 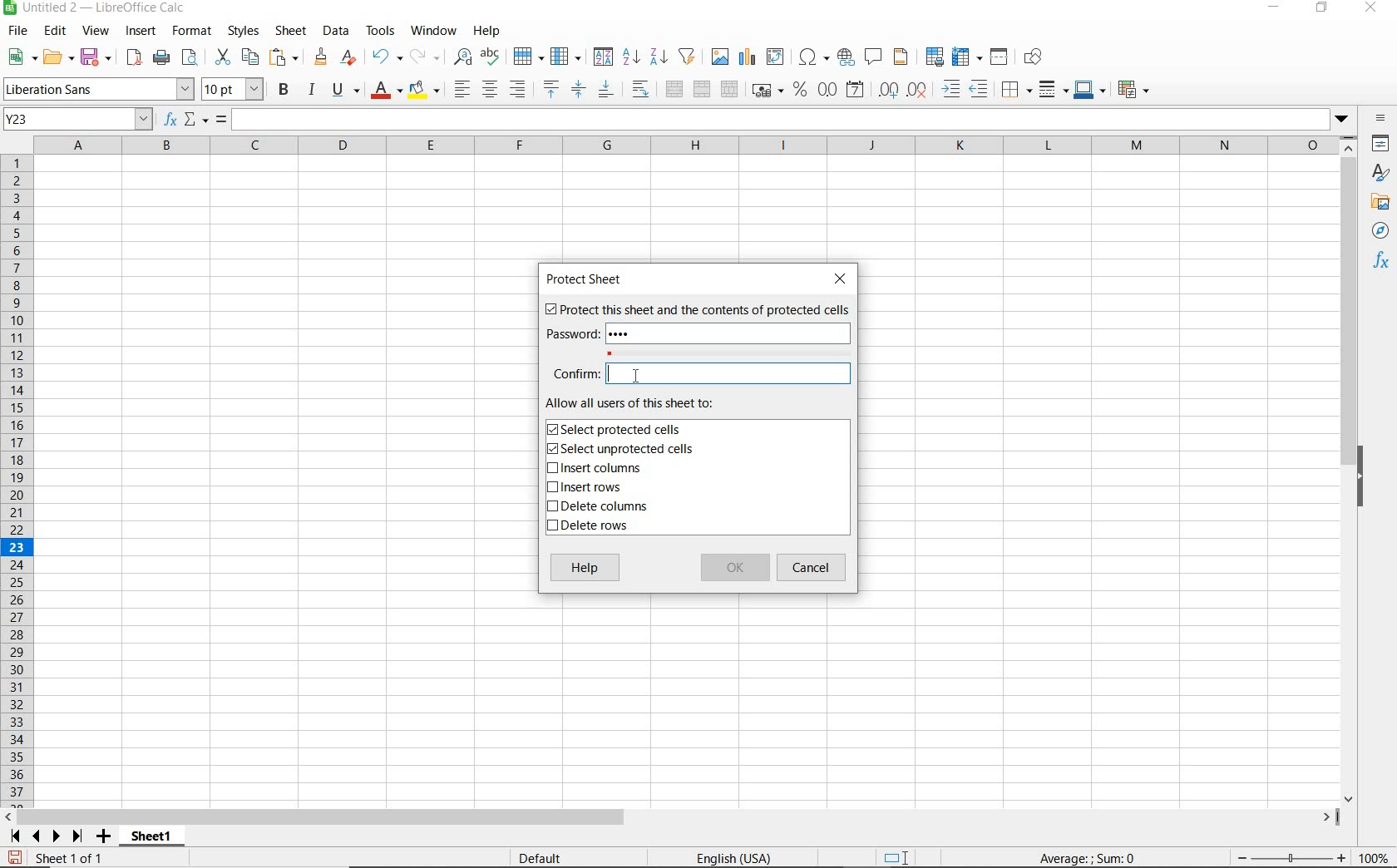 What do you see at coordinates (1380, 145) in the screenshot?
I see `PROPERTIES` at bounding box center [1380, 145].